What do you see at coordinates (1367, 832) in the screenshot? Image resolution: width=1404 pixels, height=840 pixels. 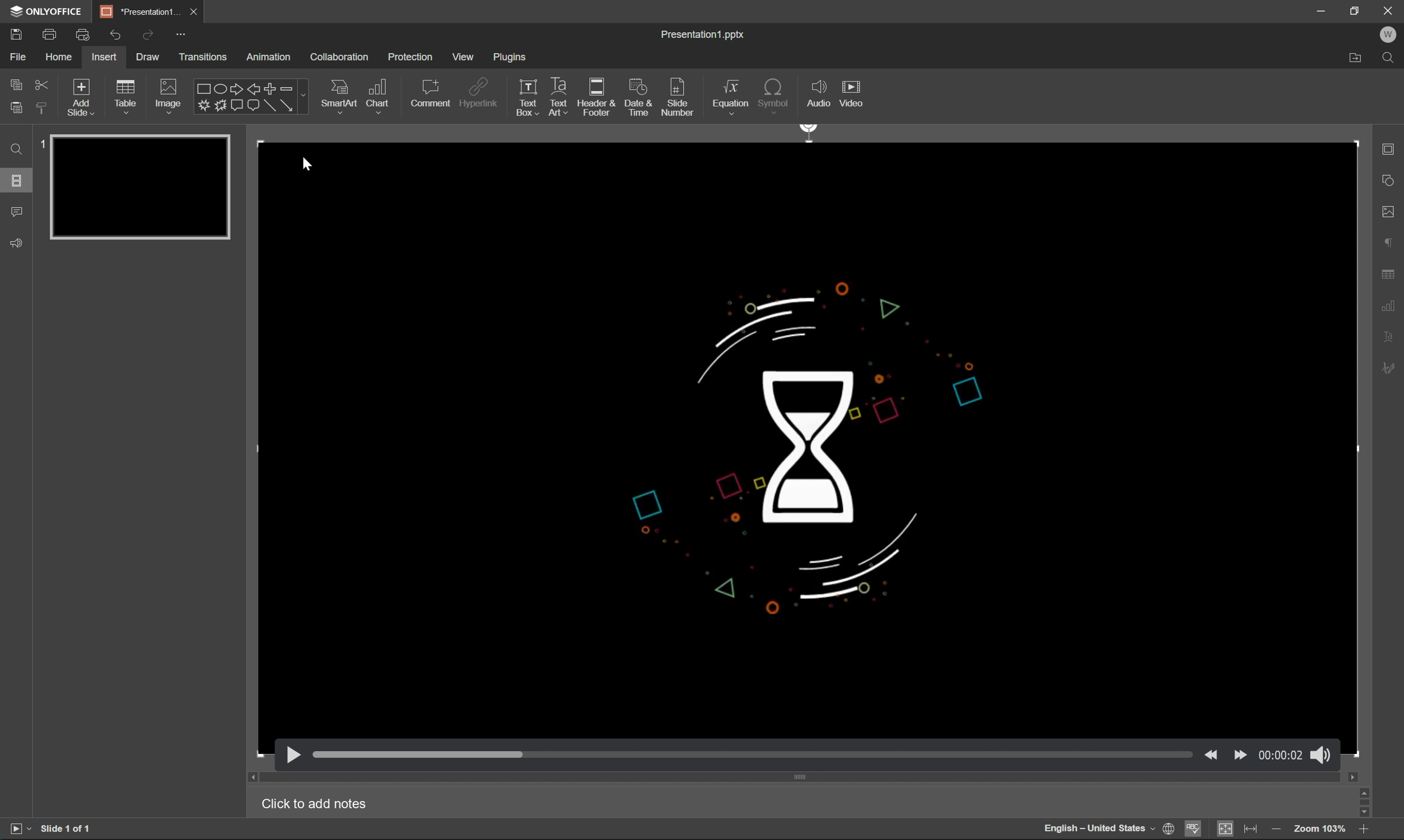 I see `zoom out` at bounding box center [1367, 832].